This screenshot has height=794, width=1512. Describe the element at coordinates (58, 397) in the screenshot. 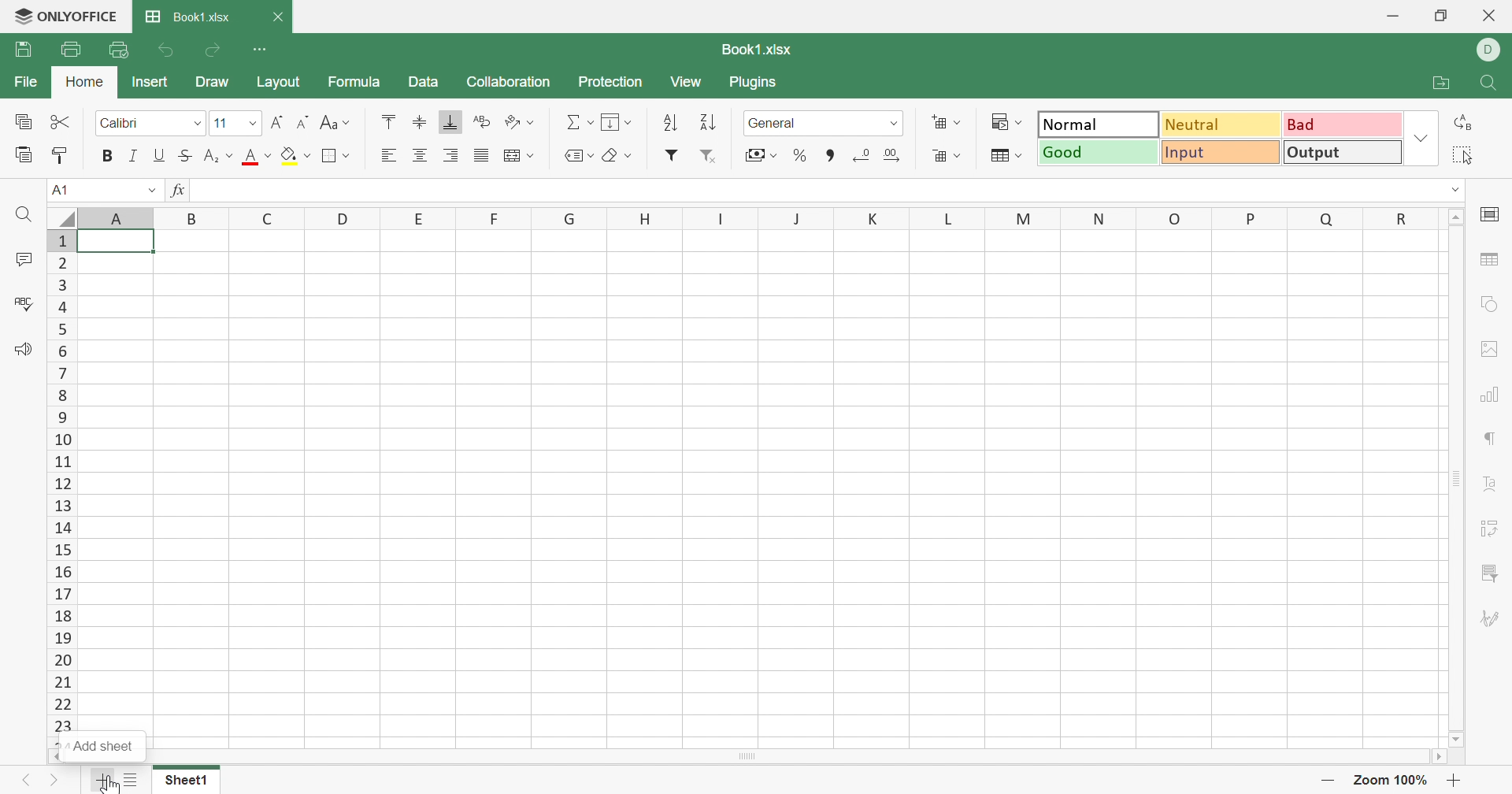

I see `8` at that location.